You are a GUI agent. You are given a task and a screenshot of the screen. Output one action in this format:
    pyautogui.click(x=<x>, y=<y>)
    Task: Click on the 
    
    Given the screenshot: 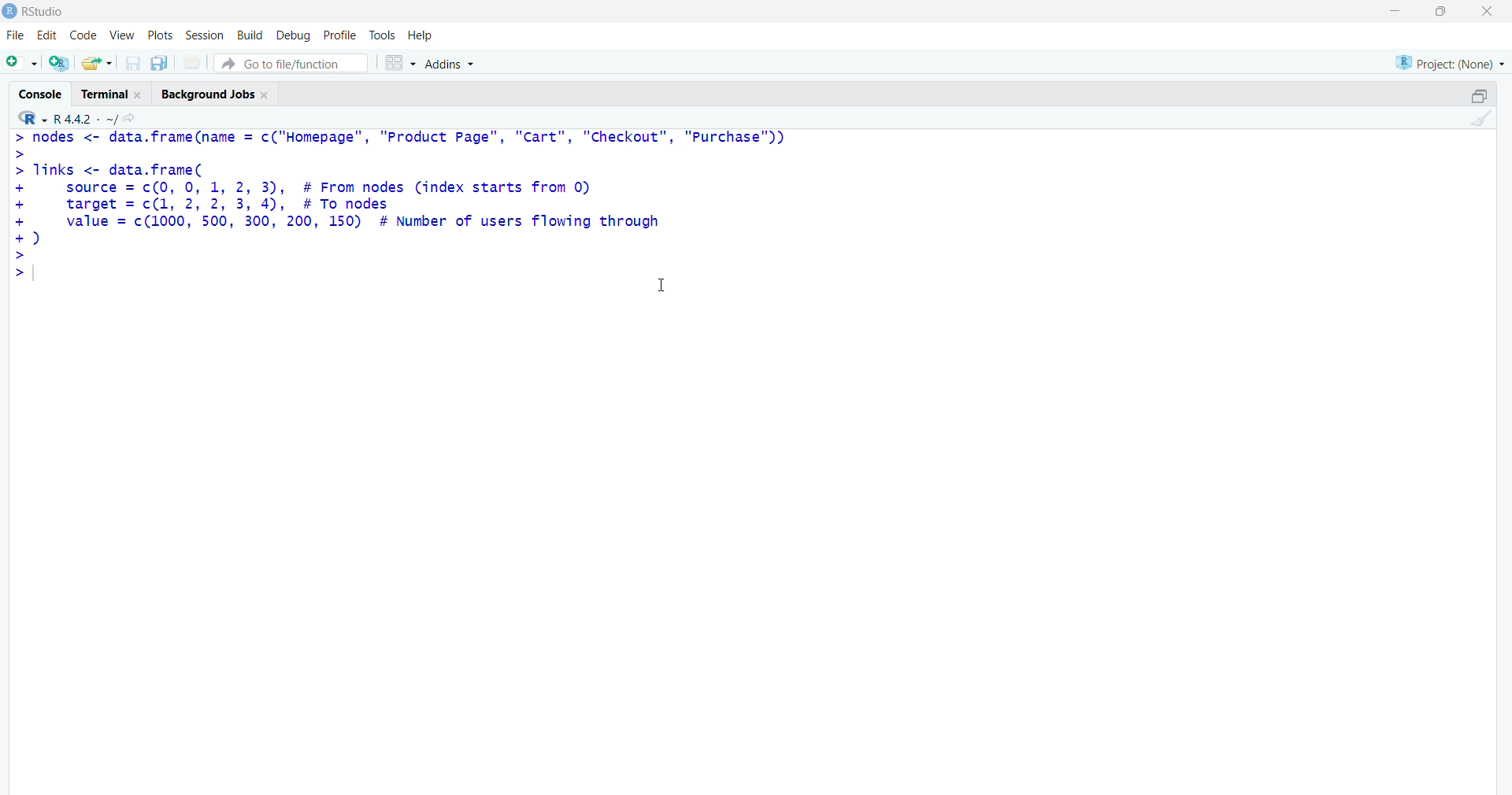 What is the action you would take?
    pyautogui.click(x=82, y=34)
    